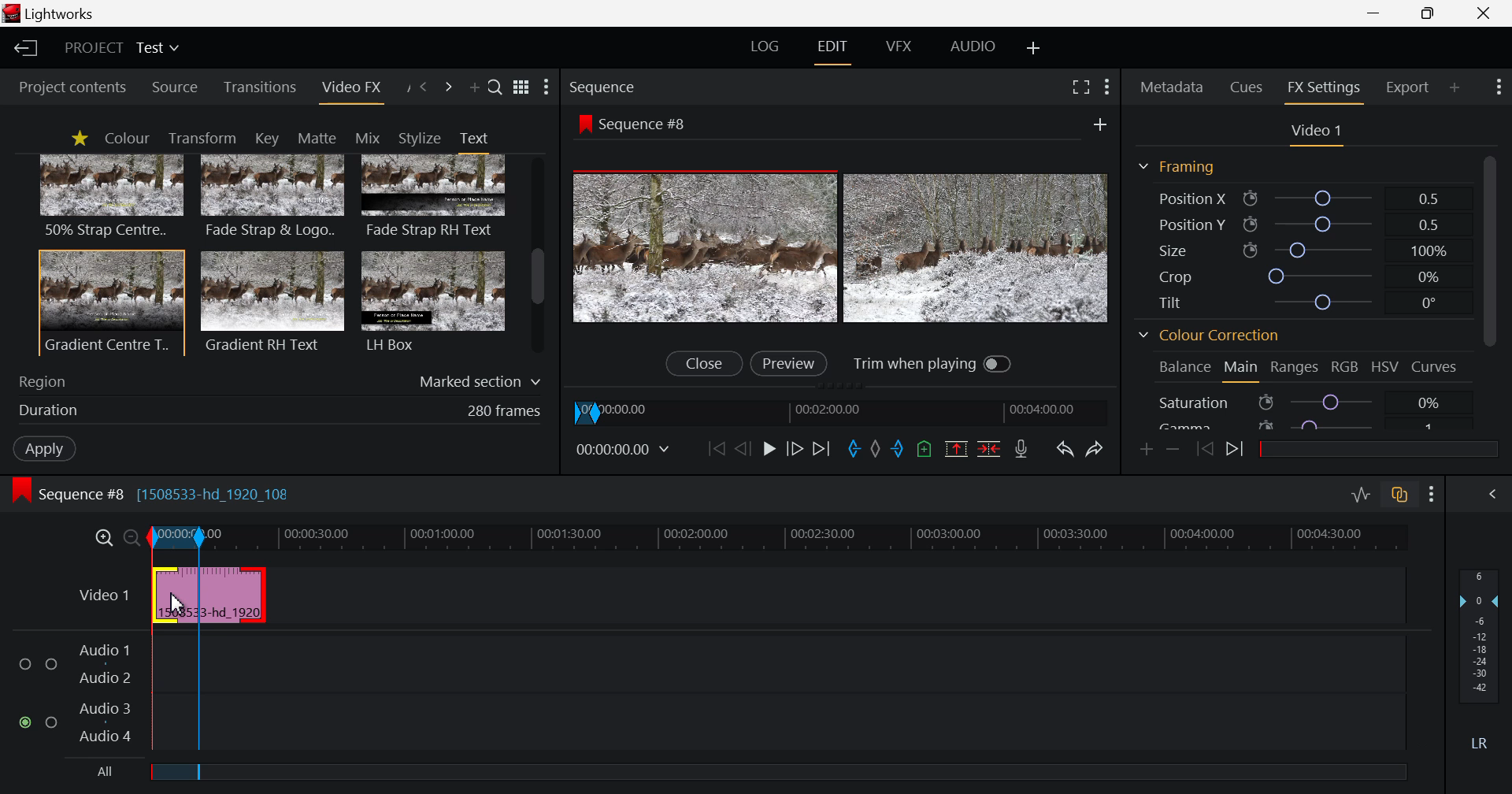 This screenshot has height=794, width=1512. I want to click on Settings, so click(1432, 495).